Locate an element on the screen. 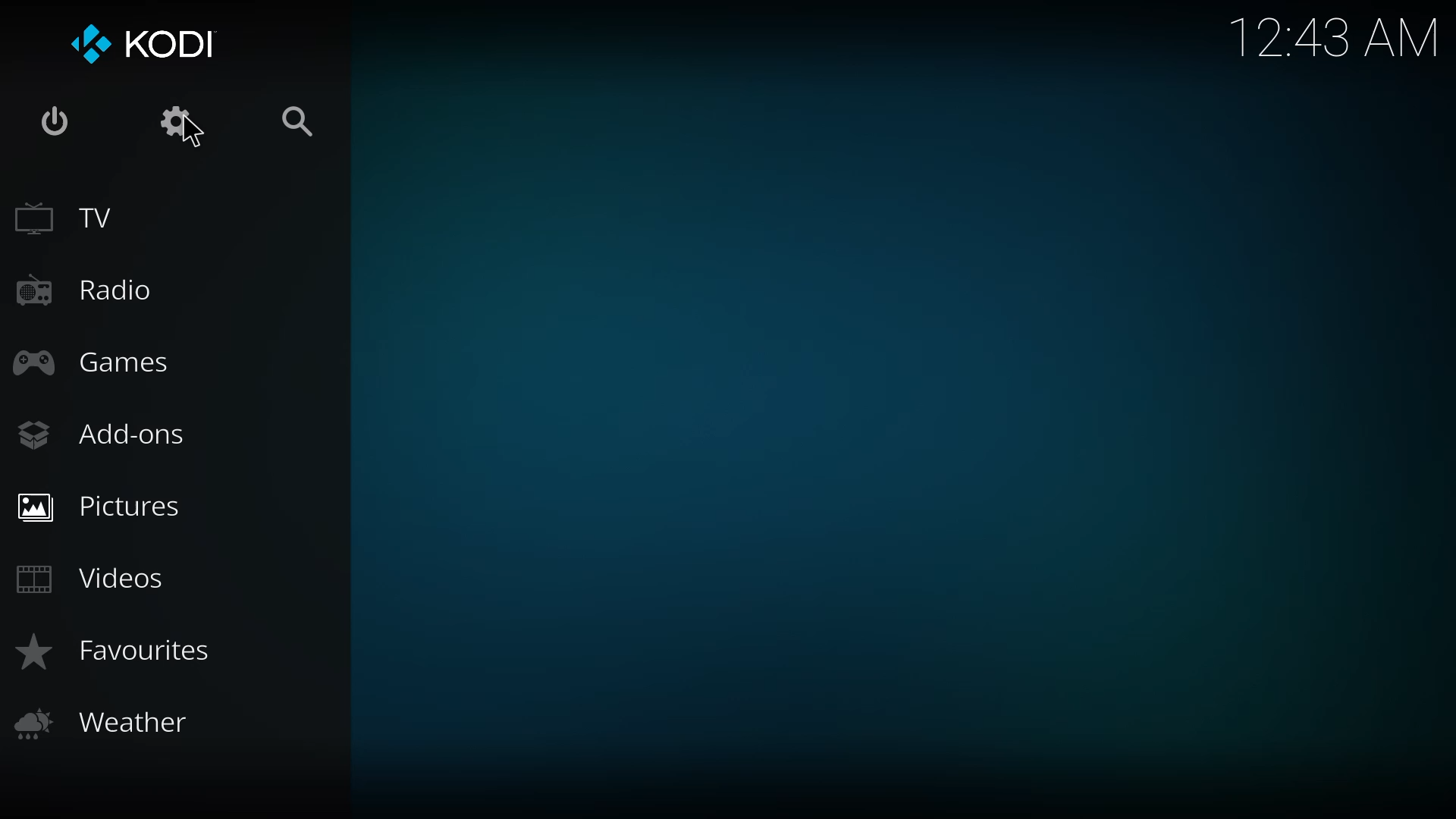 The image size is (1456, 819). add-ons is located at coordinates (109, 431).